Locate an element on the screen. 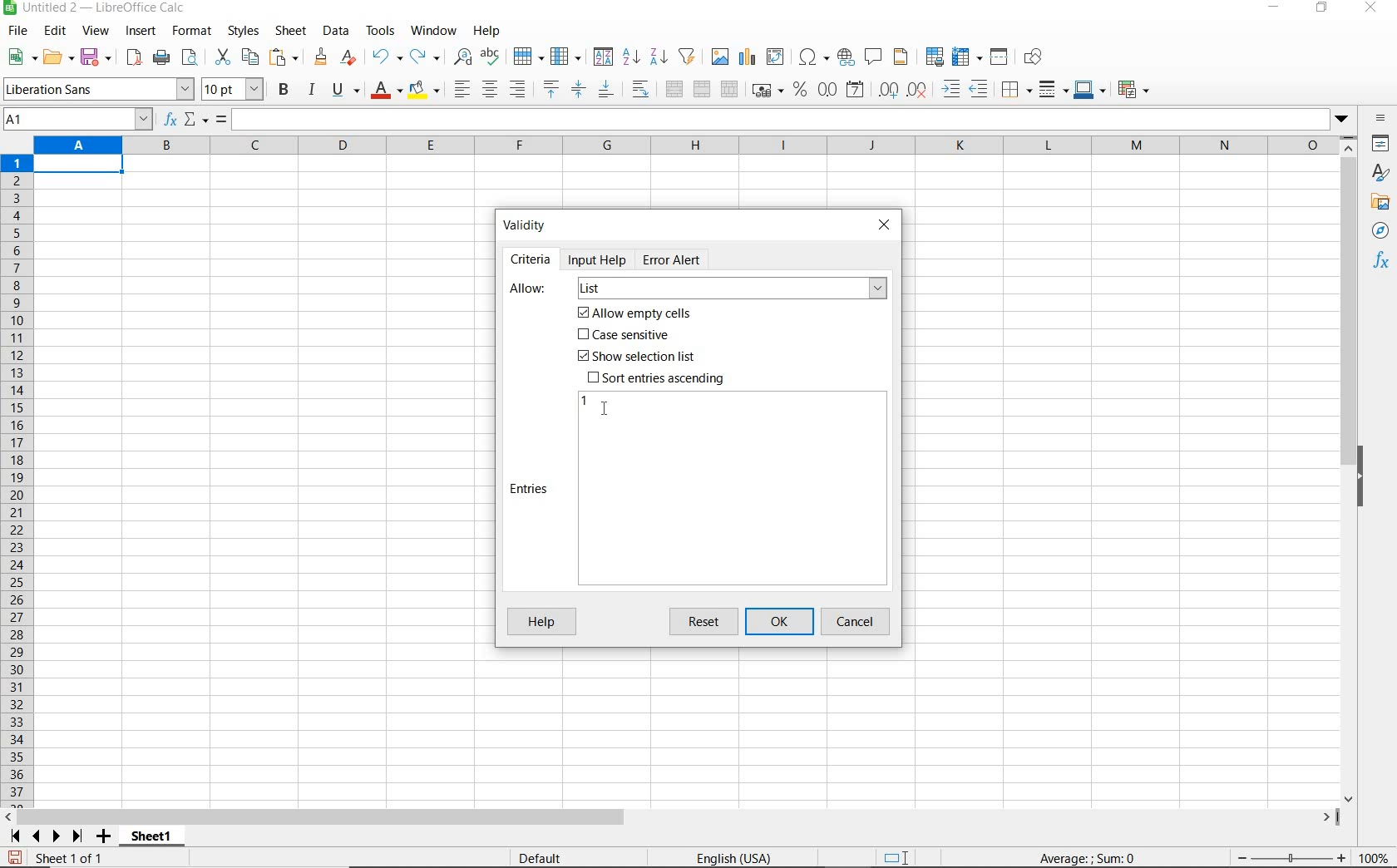 The width and height of the screenshot is (1397, 868). styles is located at coordinates (242, 32).